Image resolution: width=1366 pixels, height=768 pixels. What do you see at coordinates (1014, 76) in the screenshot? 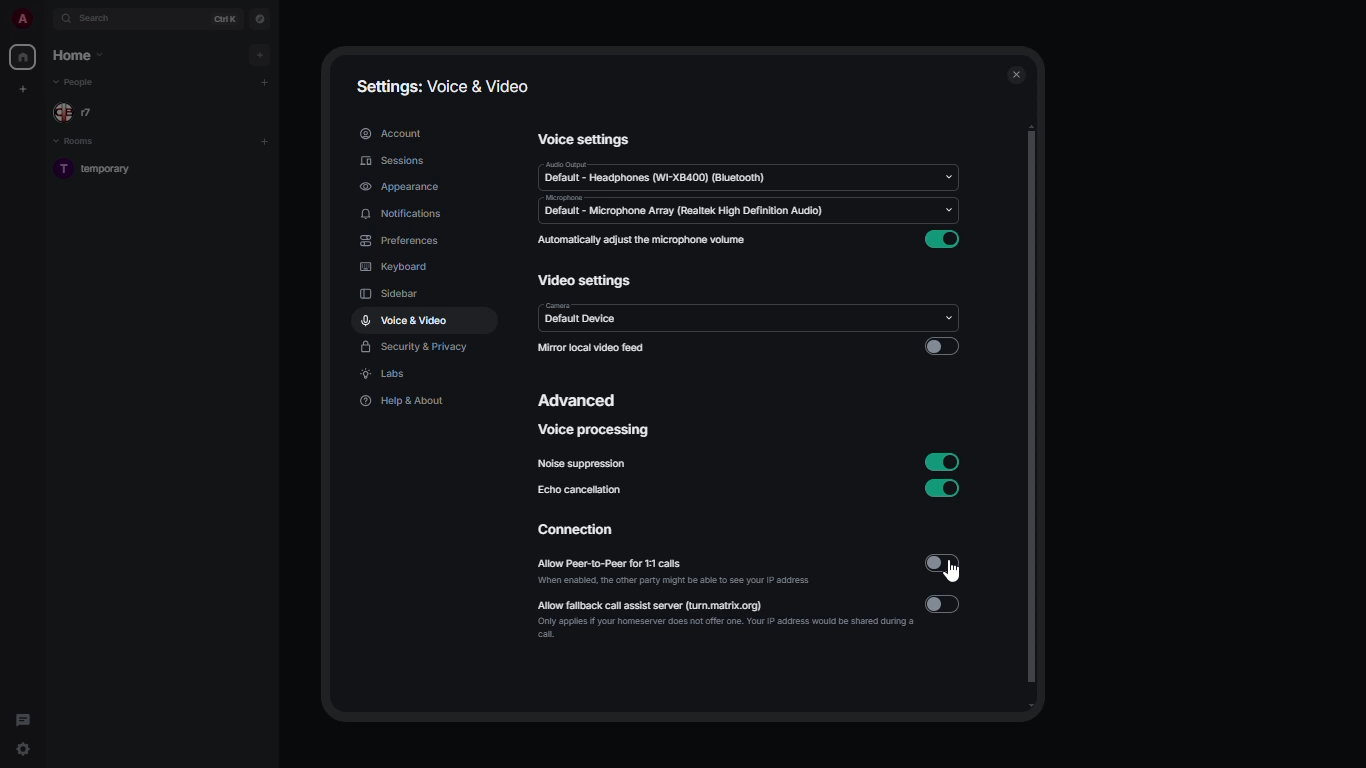
I see `close` at bounding box center [1014, 76].